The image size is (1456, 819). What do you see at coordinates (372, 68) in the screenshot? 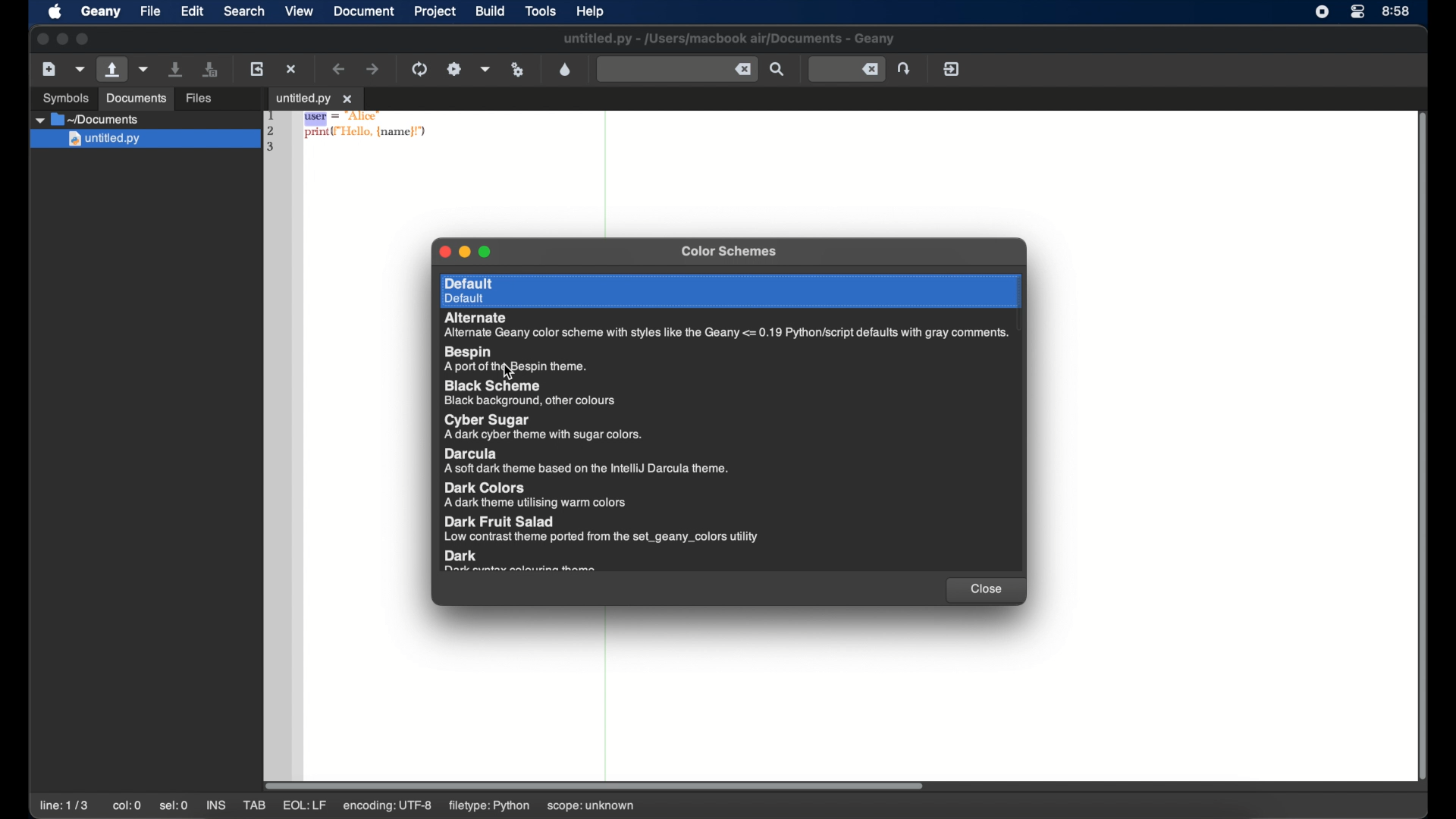
I see `navigate forward a location` at bounding box center [372, 68].